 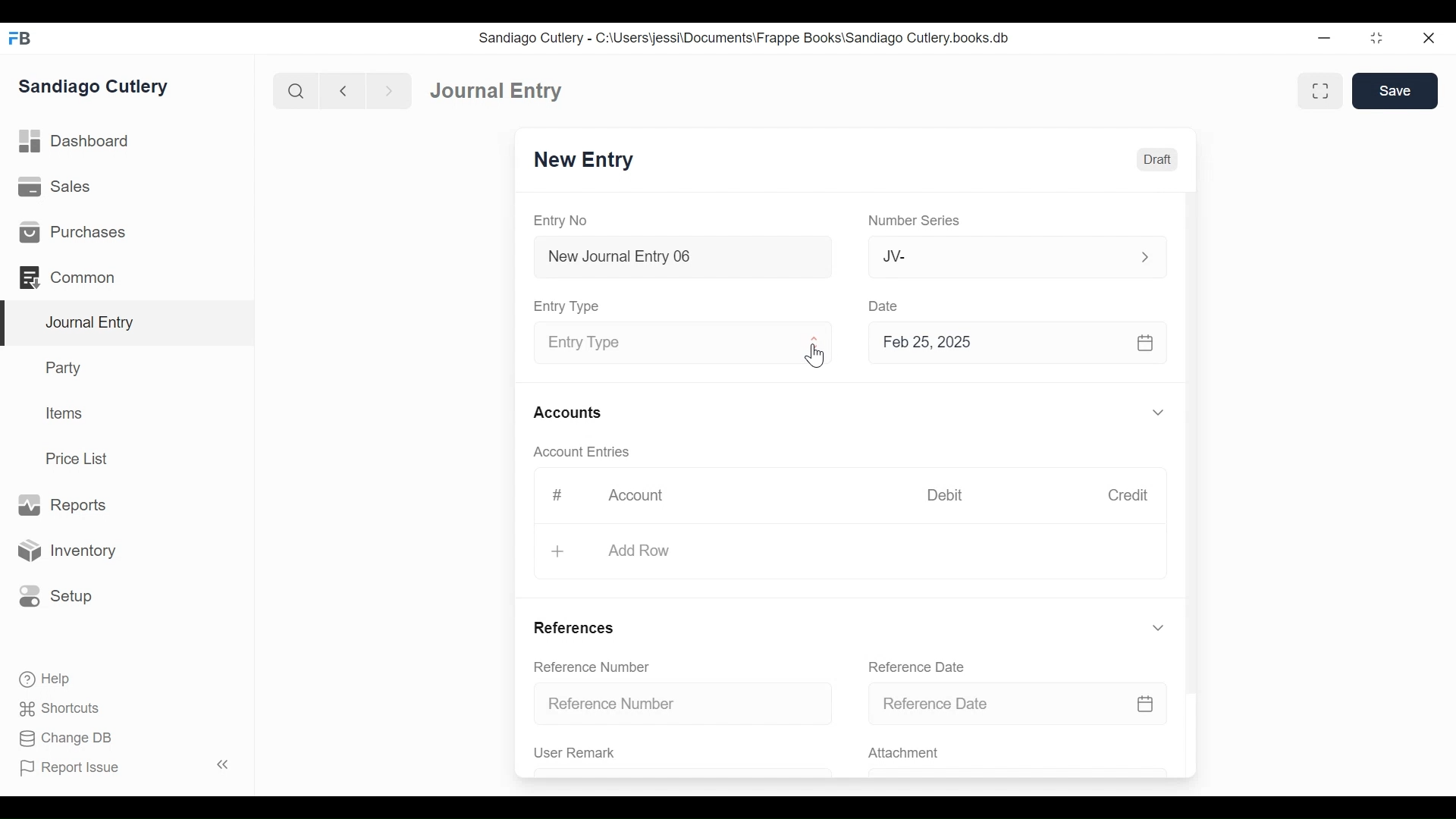 I want to click on Search, so click(x=297, y=91).